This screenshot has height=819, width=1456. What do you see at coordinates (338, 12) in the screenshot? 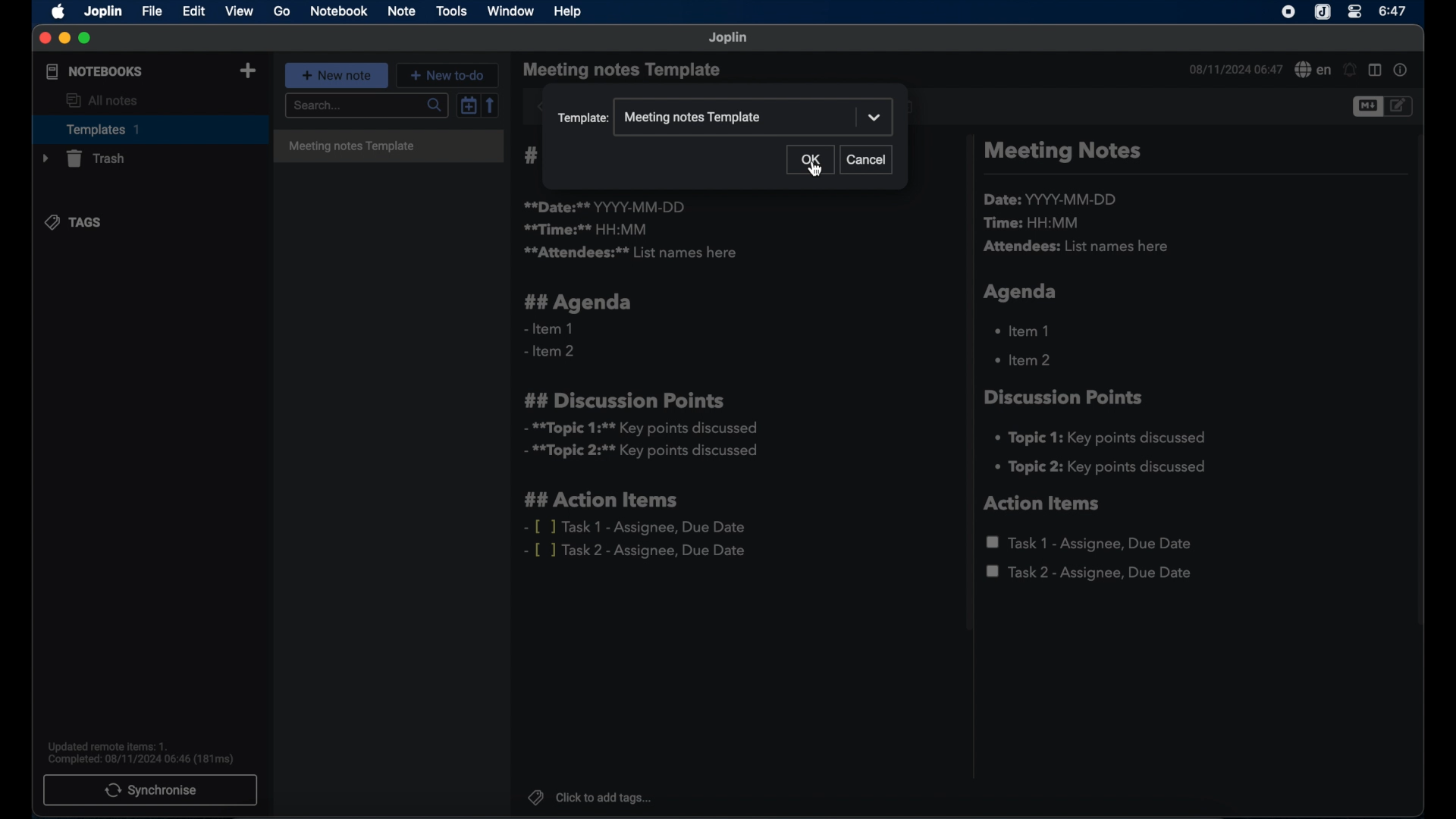
I see `notebook` at bounding box center [338, 12].